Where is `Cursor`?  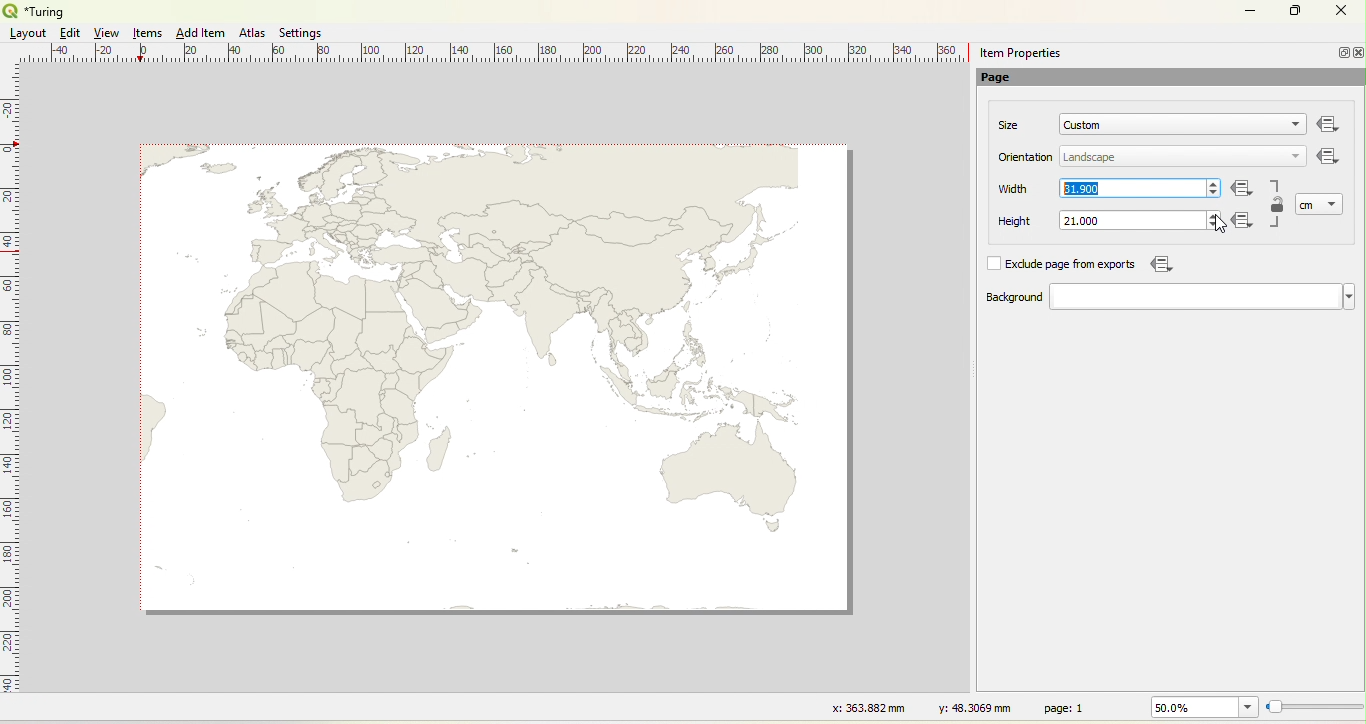
Cursor is located at coordinates (1218, 224).